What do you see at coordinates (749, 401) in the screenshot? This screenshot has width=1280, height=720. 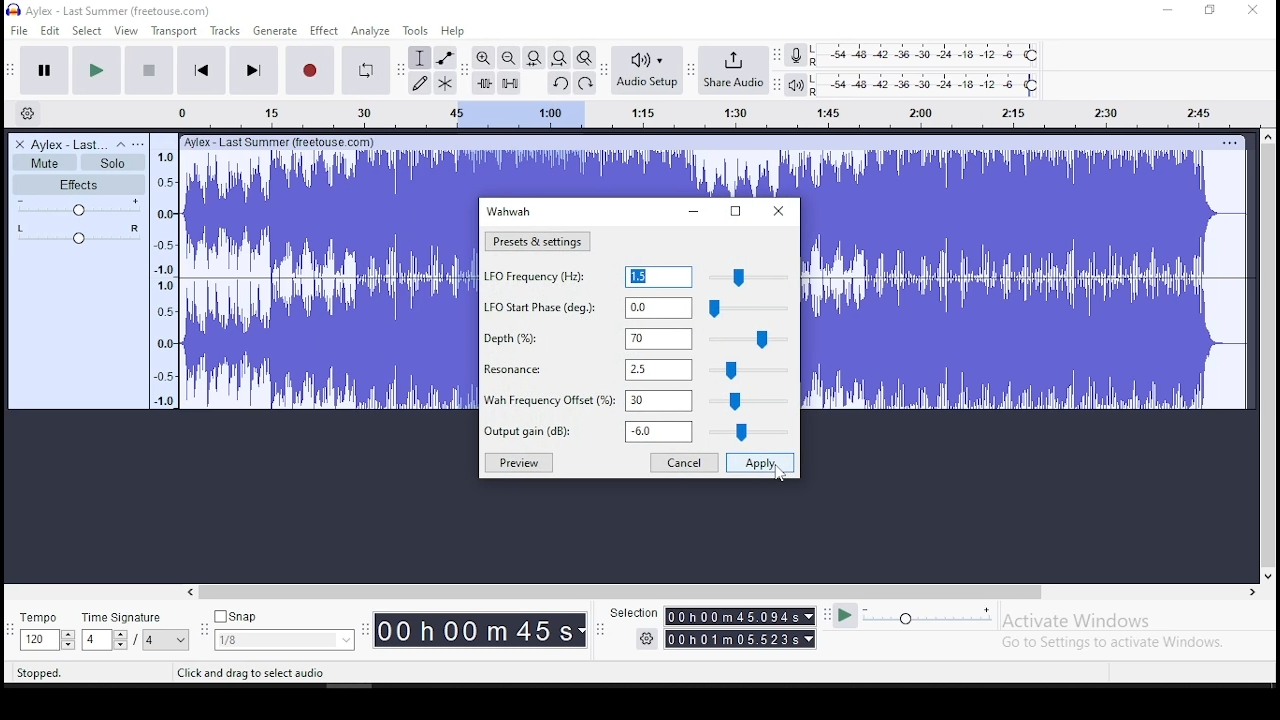 I see `wah frequency offset slider` at bounding box center [749, 401].